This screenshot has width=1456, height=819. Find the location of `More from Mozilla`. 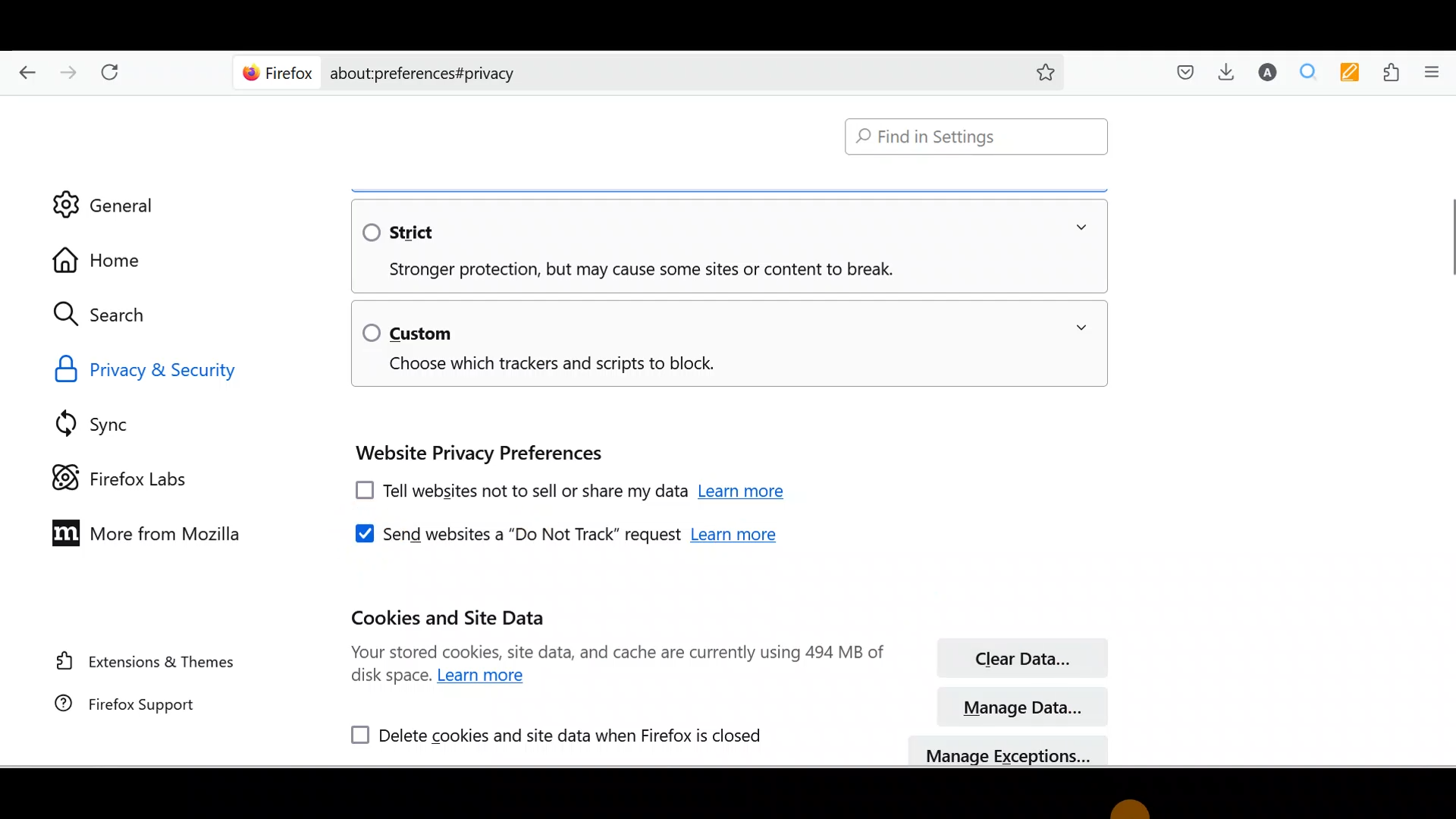

More from Mozilla is located at coordinates (151, 539).